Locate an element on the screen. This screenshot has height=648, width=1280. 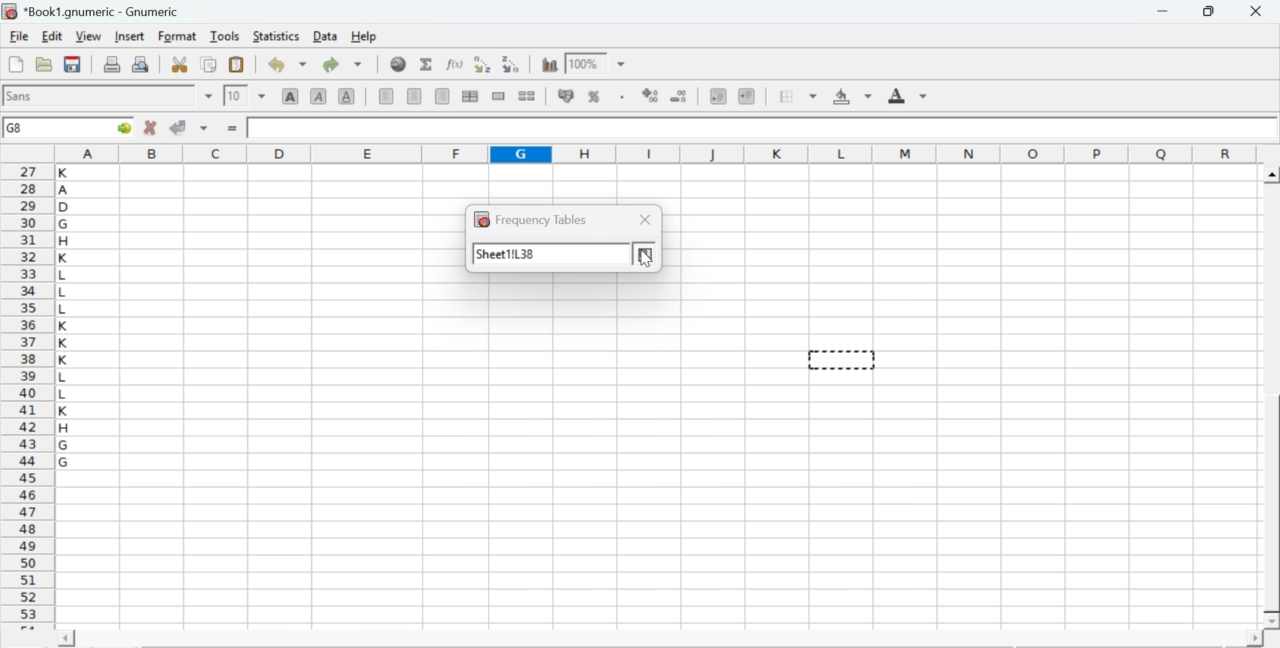
file is located at coordinates (18, 37).